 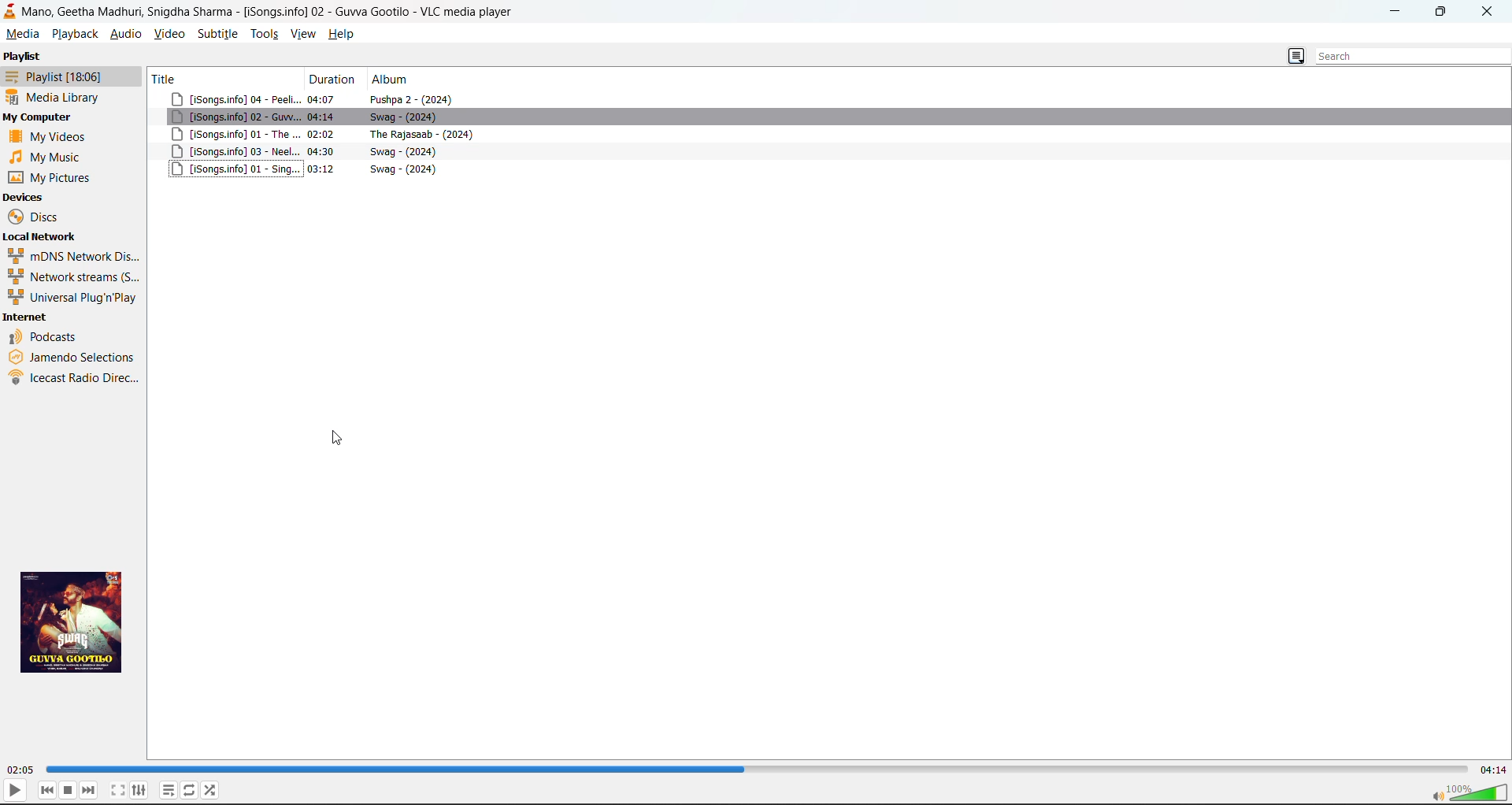 I want to click on toggle loop, so click(x=190, y=789).